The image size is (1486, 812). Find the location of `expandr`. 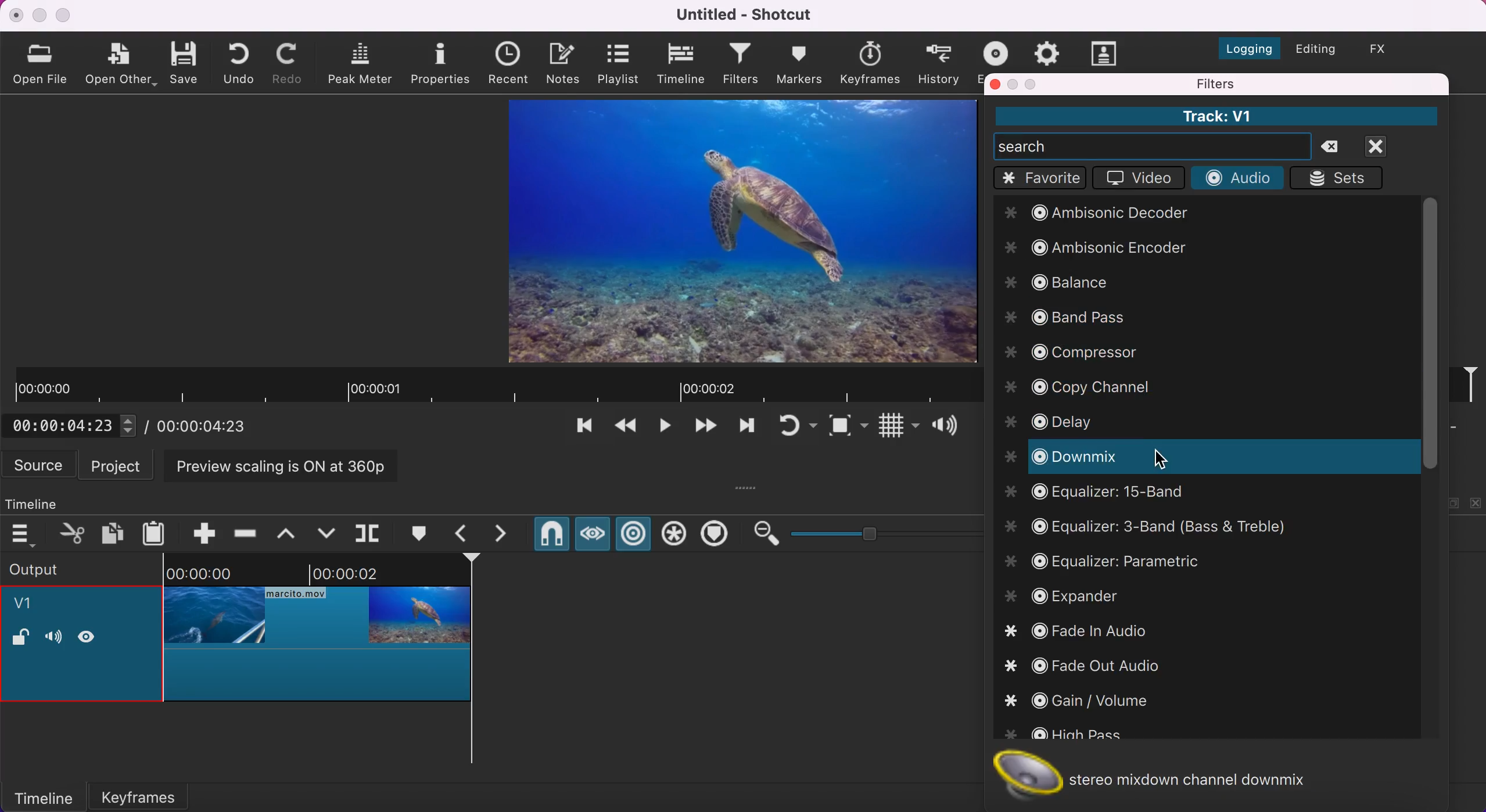

expandr is located at coordinates (1073, 597).